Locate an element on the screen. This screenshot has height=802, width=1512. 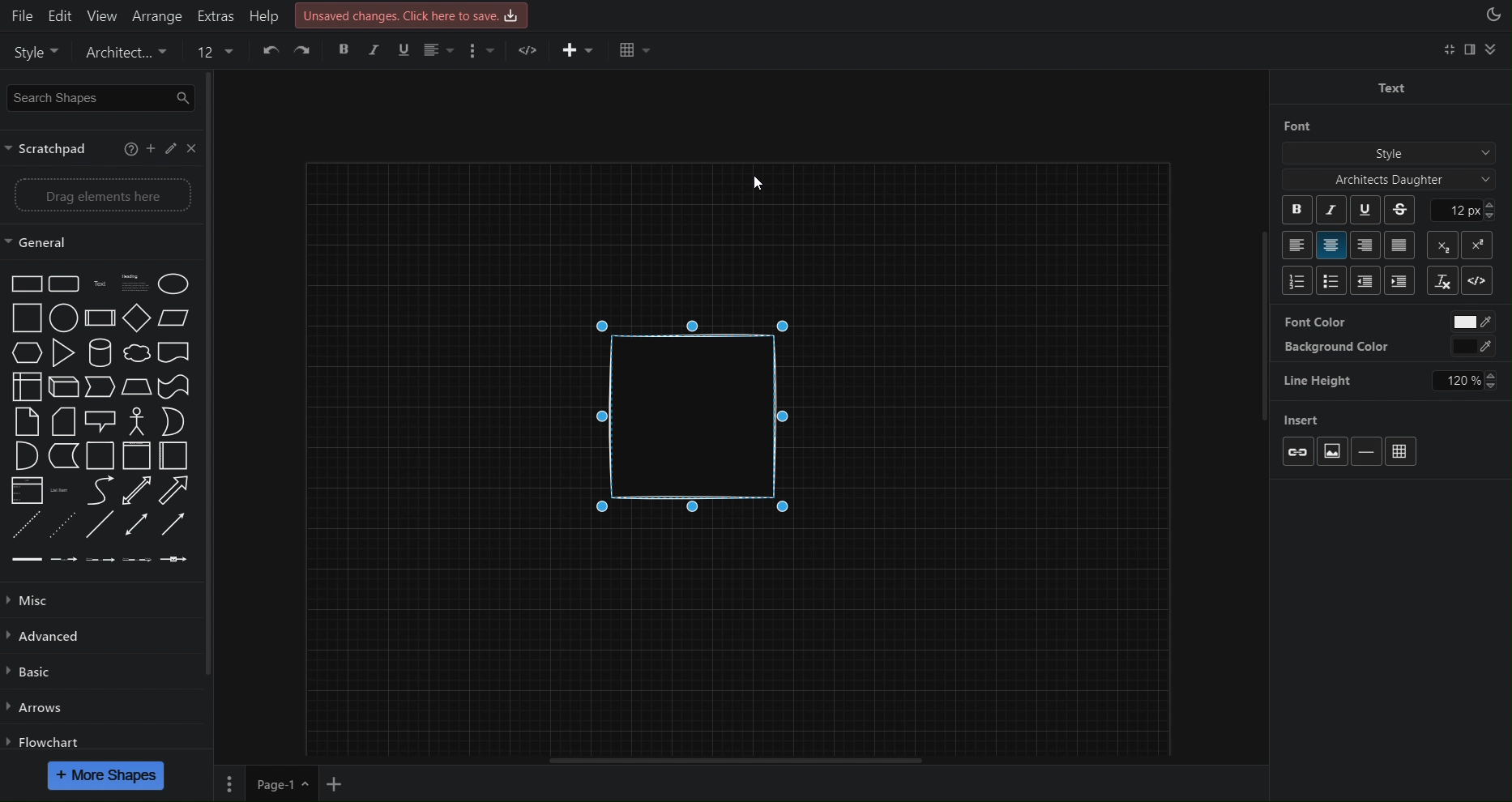
Basic is located at coordinates (31, 676).